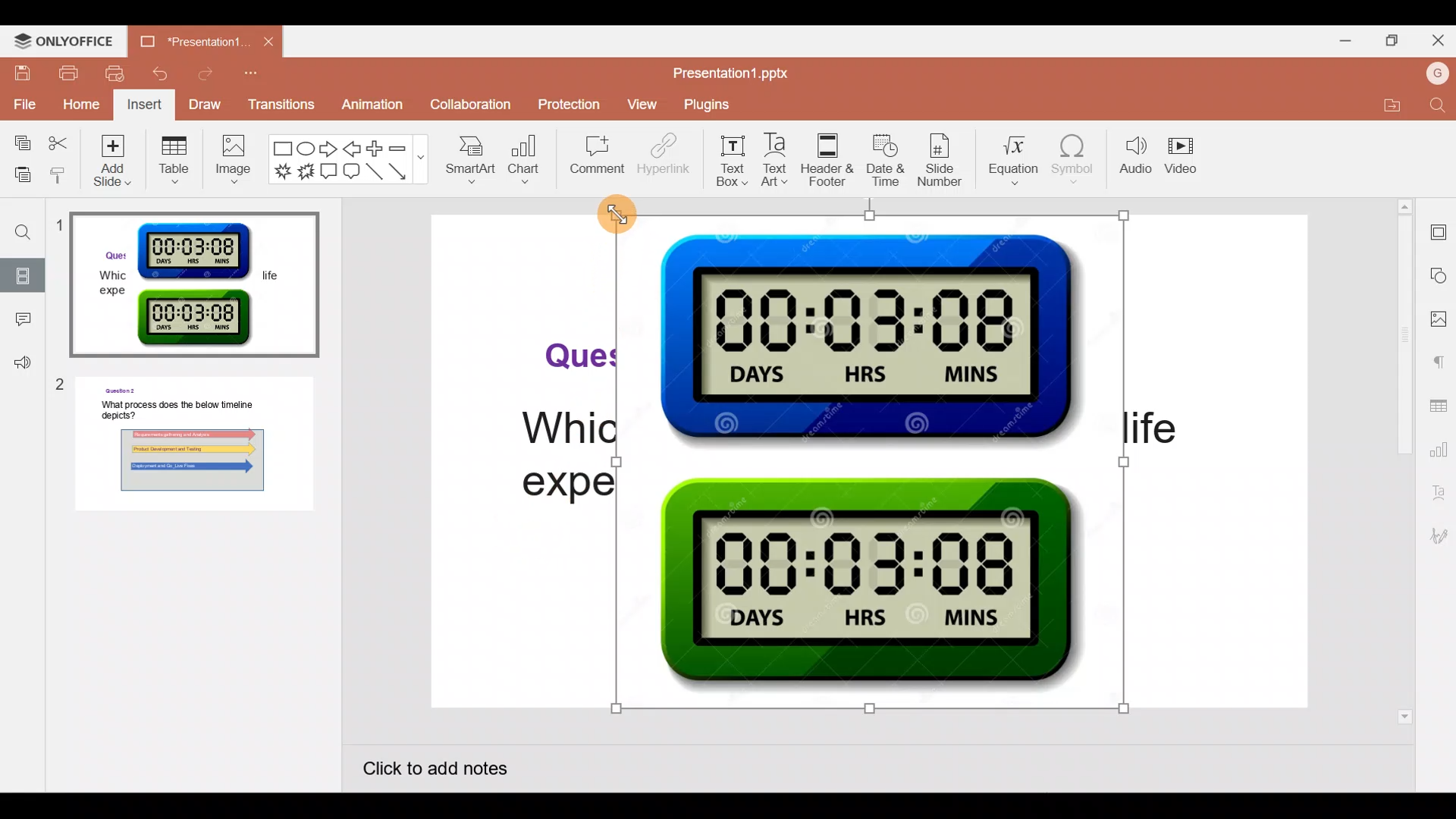 The image size is (1456, 819). Describe the element at coordinates (1130, 155) in the screenshot. I see `Audio` at that location.